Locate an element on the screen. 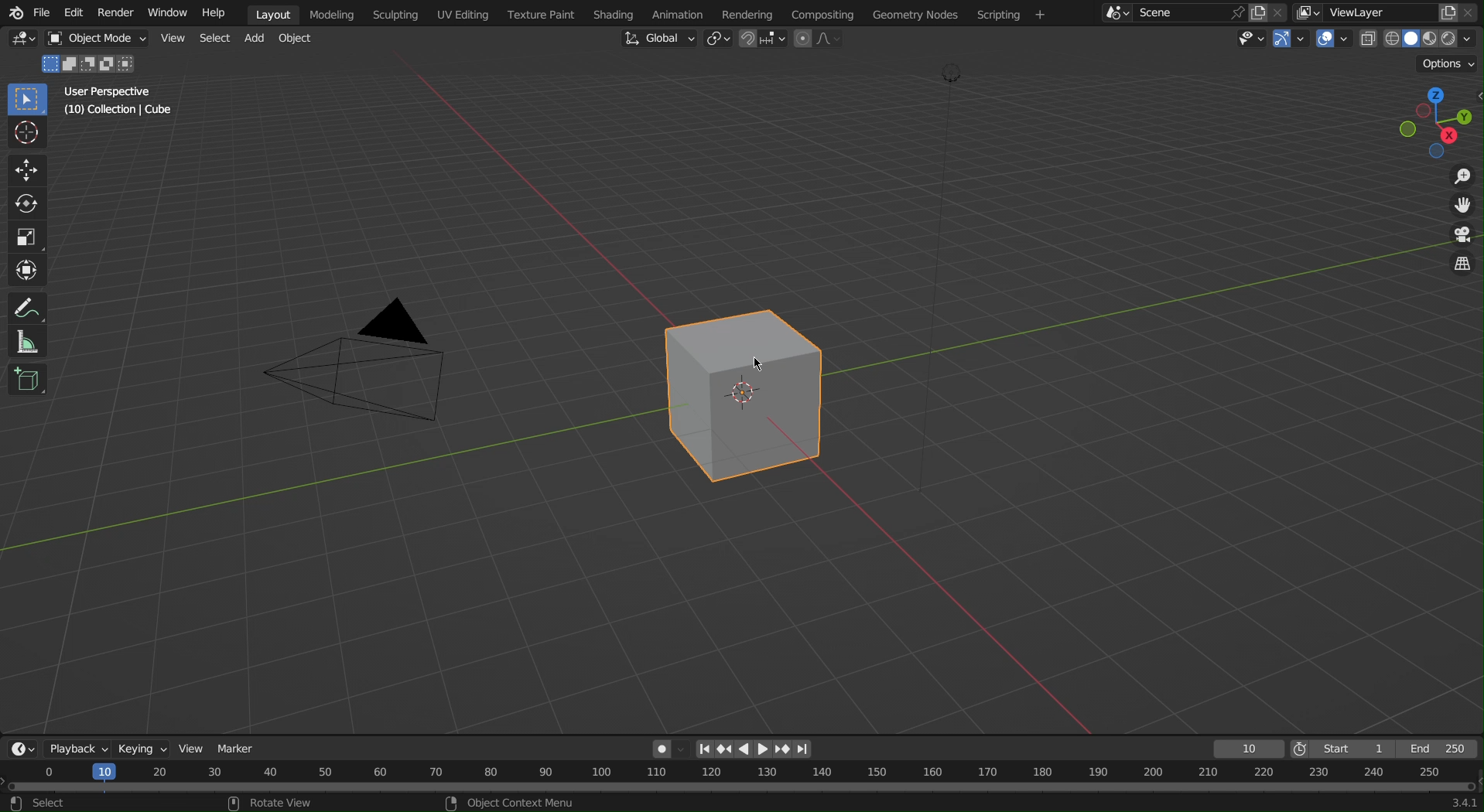 Image resolution: width=1484 pixels, height=812 pixels. Proportional Editing is located at coordinates (819, 39).